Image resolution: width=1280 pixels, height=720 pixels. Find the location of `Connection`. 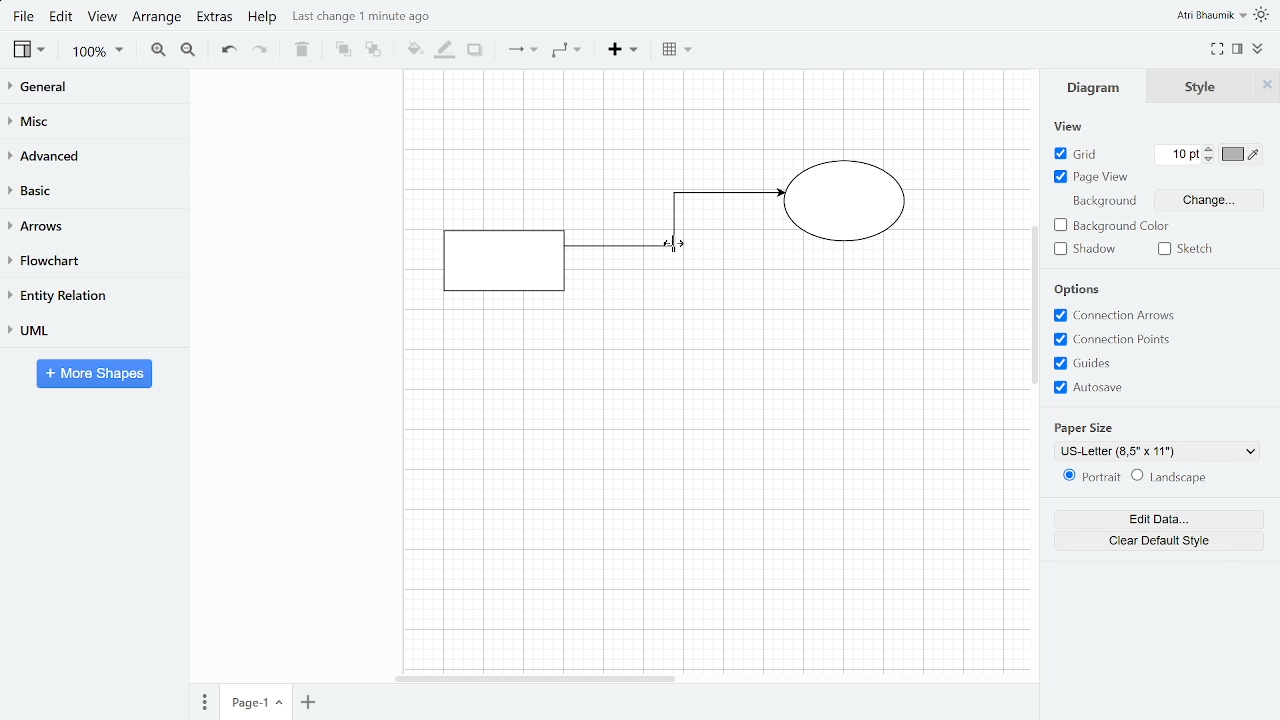

Connection is located at coordinates (523, 50).